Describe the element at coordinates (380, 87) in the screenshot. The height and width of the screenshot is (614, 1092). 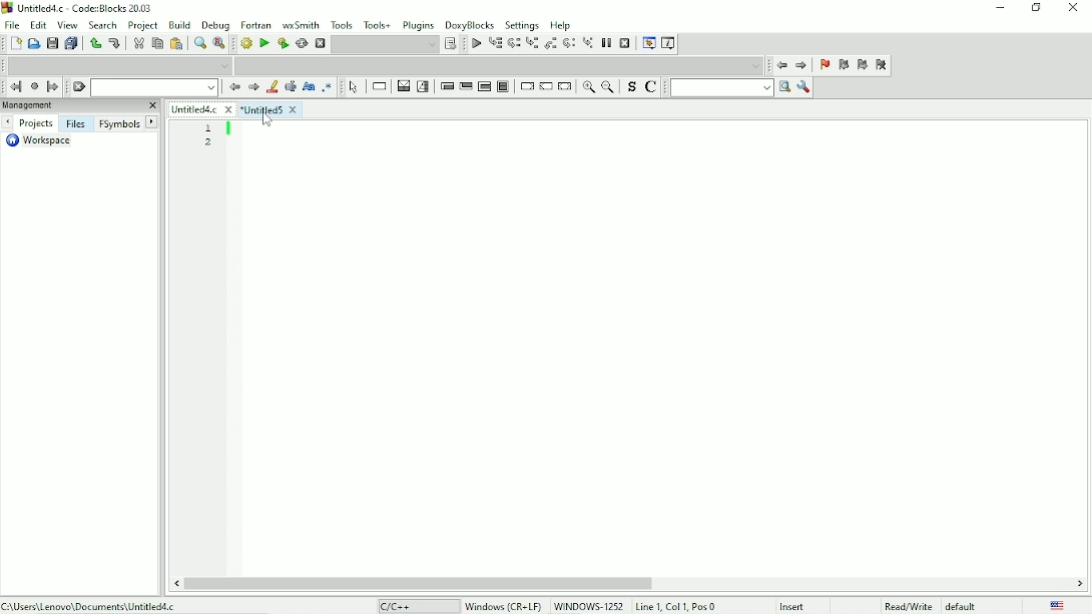
I see `Instruction` at that location.